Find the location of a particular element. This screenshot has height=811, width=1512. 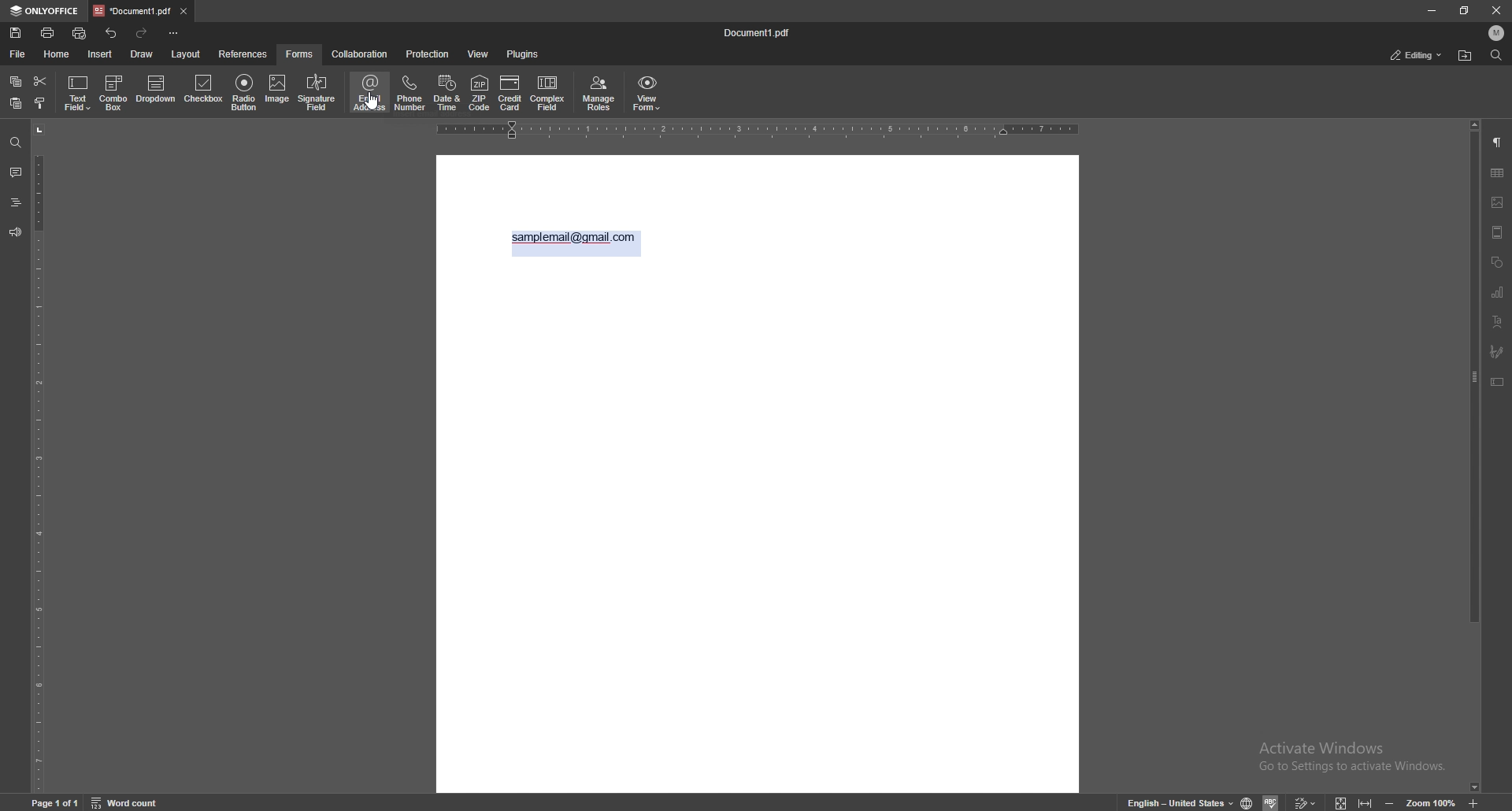

fit to width is located at coordinates (1364, 800).